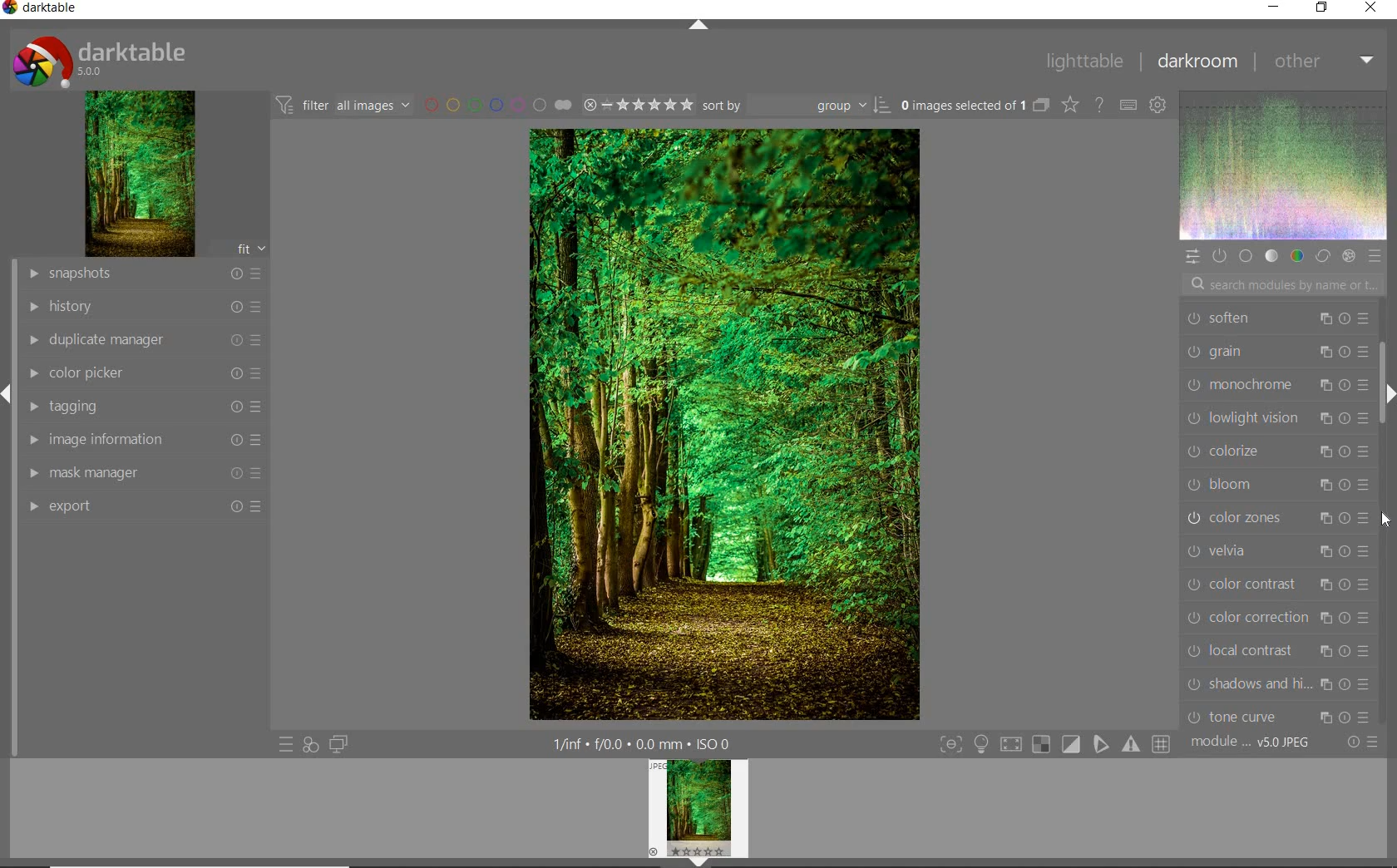  I want to click on MASK MANAGER, so click(141, 475).